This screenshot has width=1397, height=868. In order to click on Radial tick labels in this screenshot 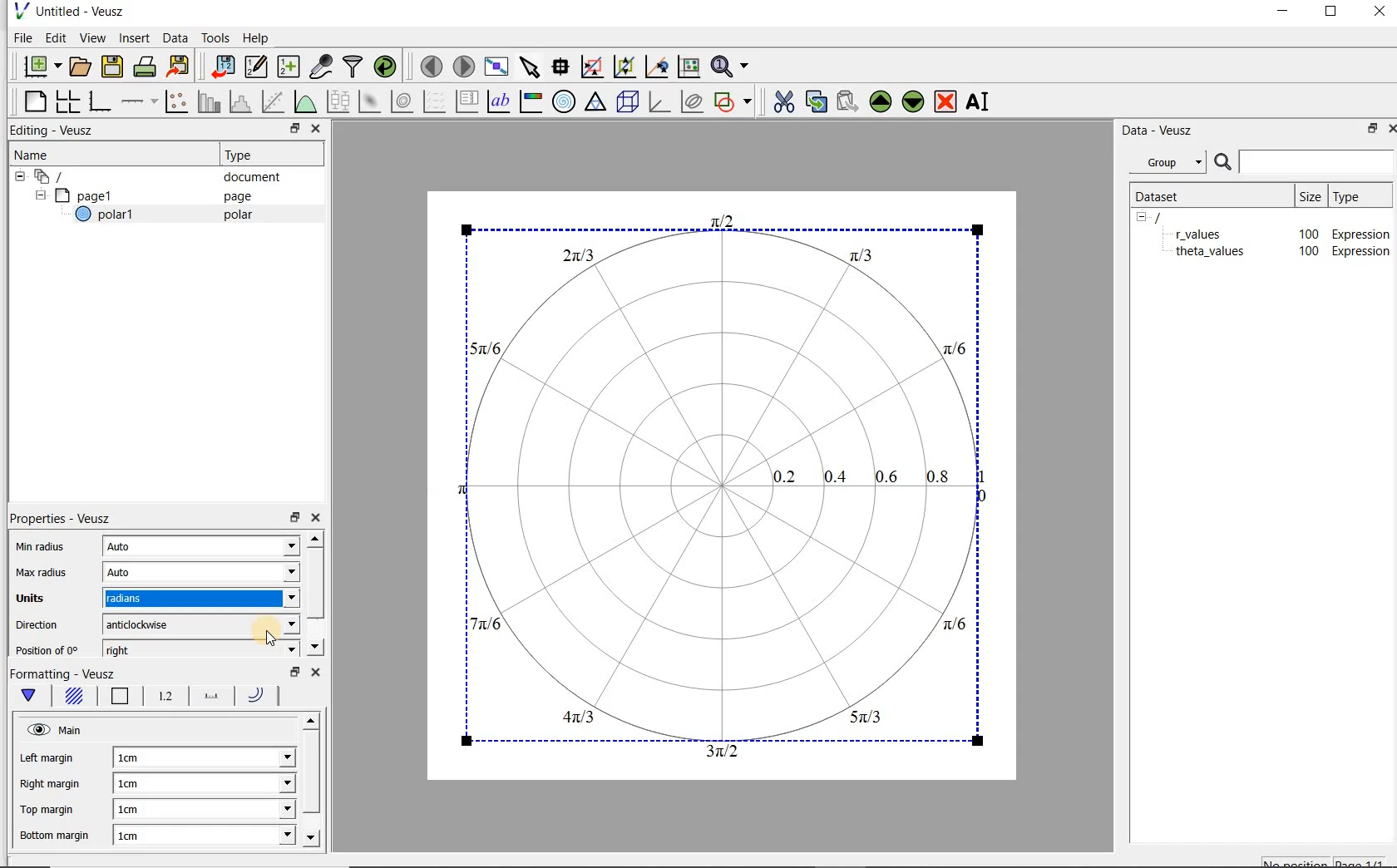, I will do `click(166, 698)`.